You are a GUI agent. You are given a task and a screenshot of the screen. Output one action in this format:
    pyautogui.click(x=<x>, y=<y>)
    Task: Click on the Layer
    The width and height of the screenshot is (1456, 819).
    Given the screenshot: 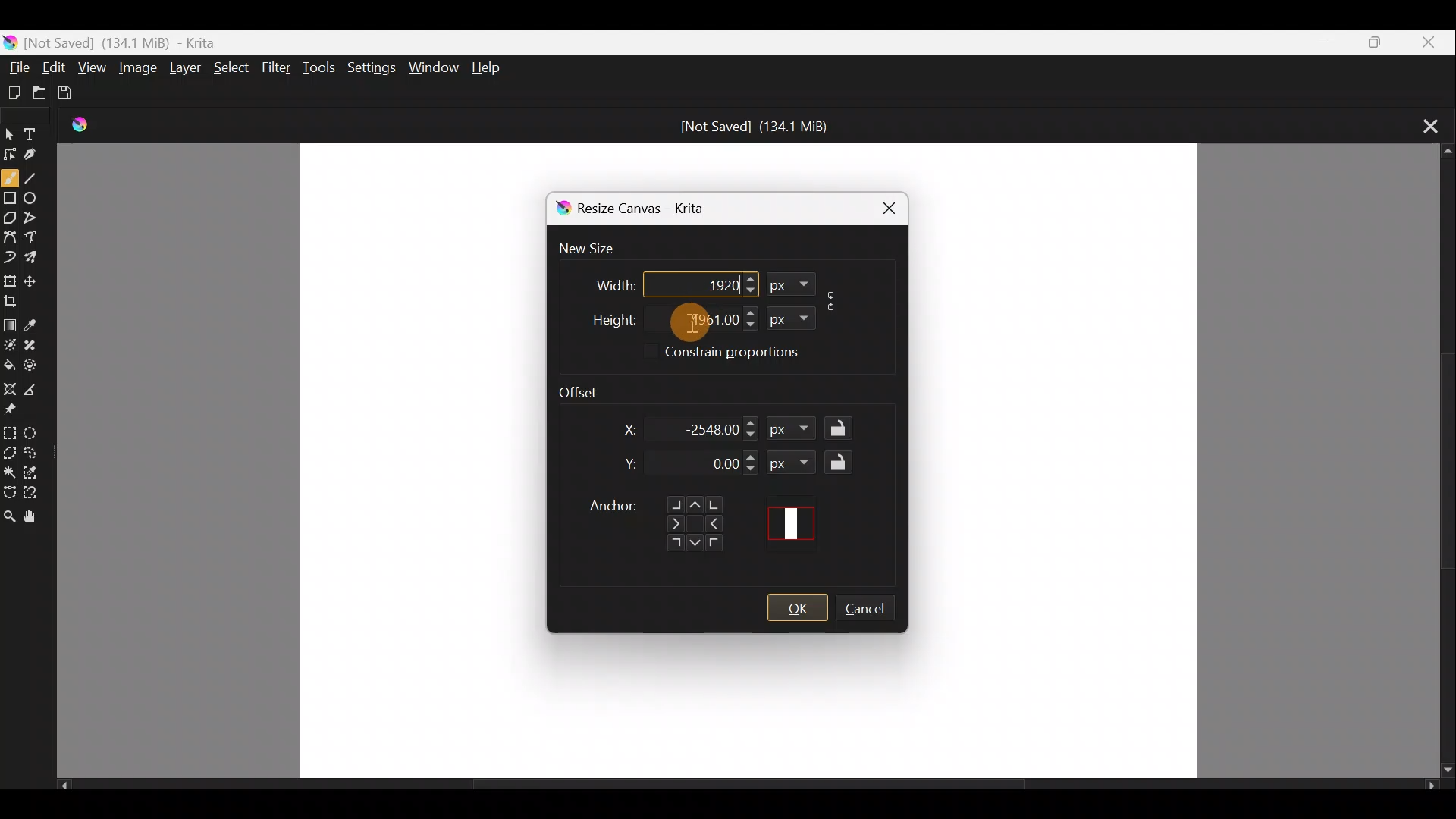 What is the action you would take?
    pyautogui.click(x=187, y=71)
    